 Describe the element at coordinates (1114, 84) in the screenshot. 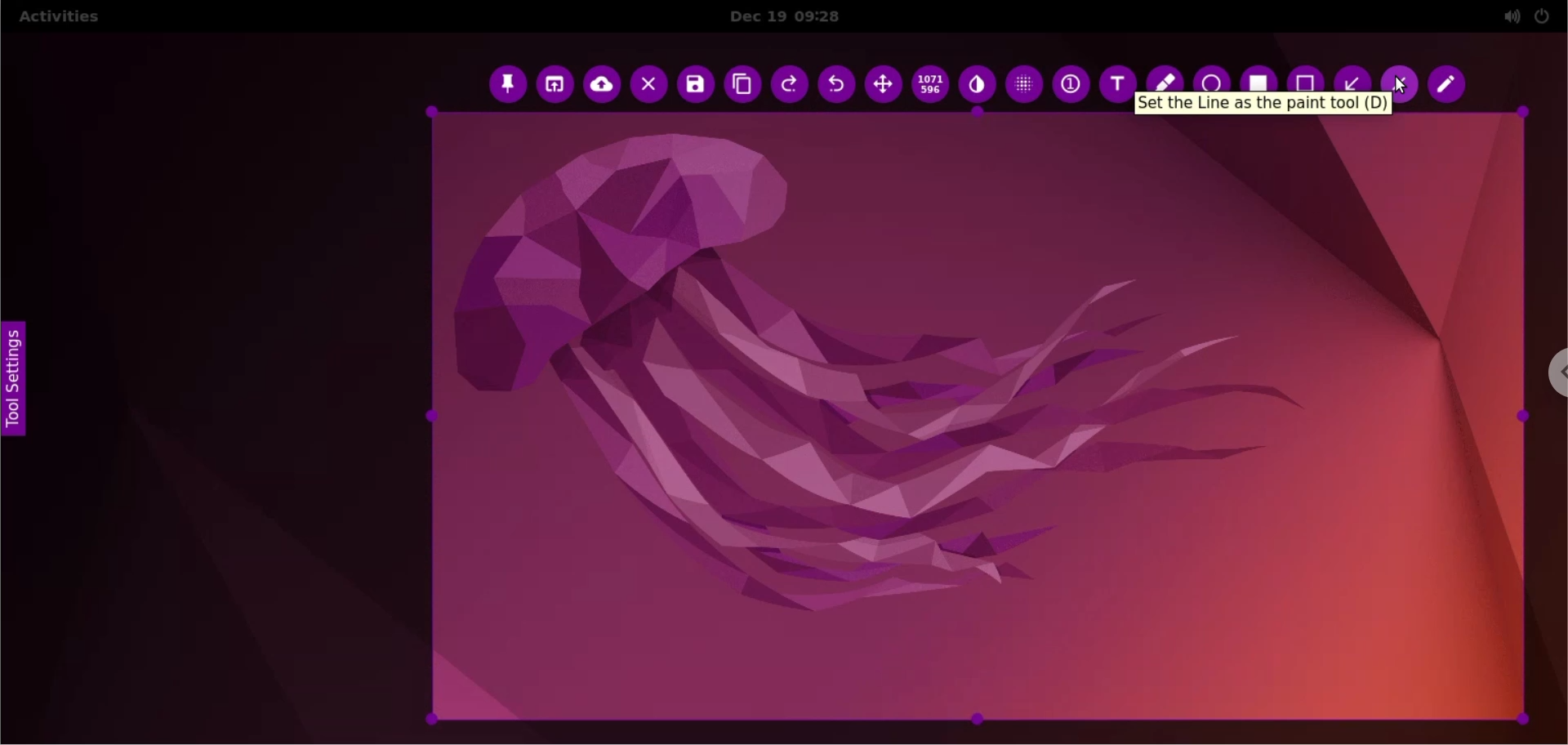

I see `text` at that location.